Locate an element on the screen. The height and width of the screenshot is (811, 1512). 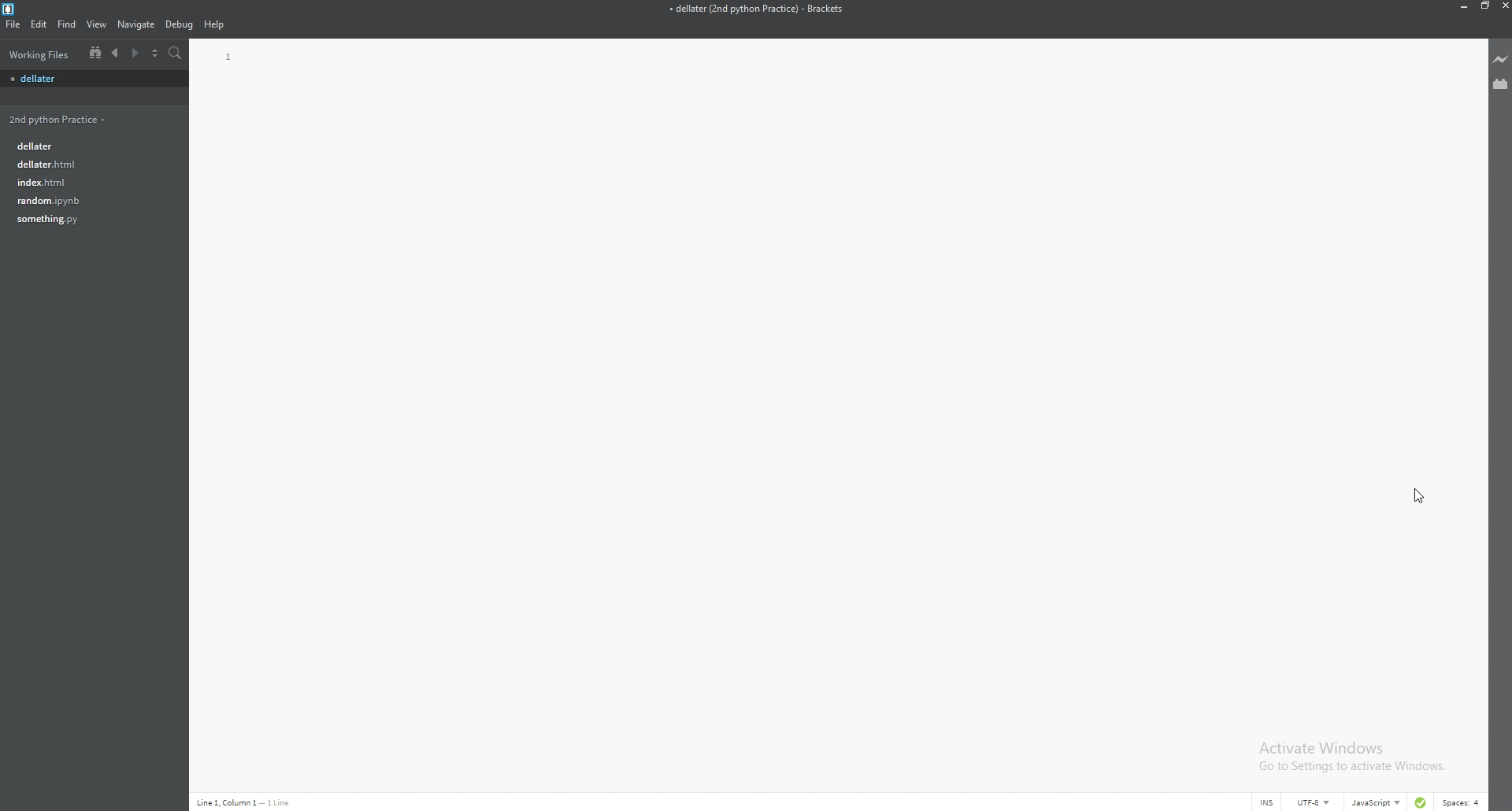
view is located at coordinates (97, 24).